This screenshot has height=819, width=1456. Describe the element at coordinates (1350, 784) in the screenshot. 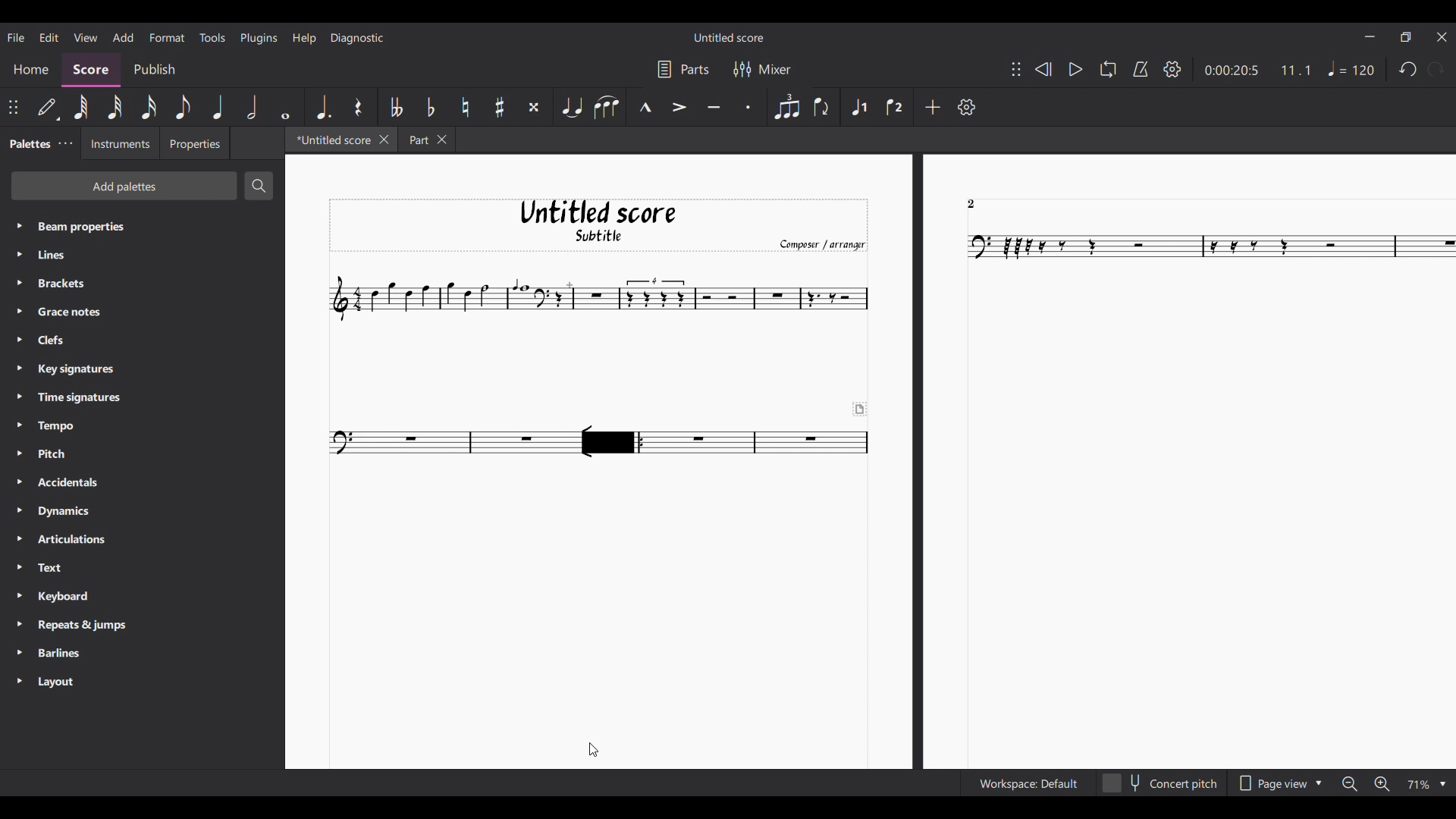

I see `Zoom out` at that location.